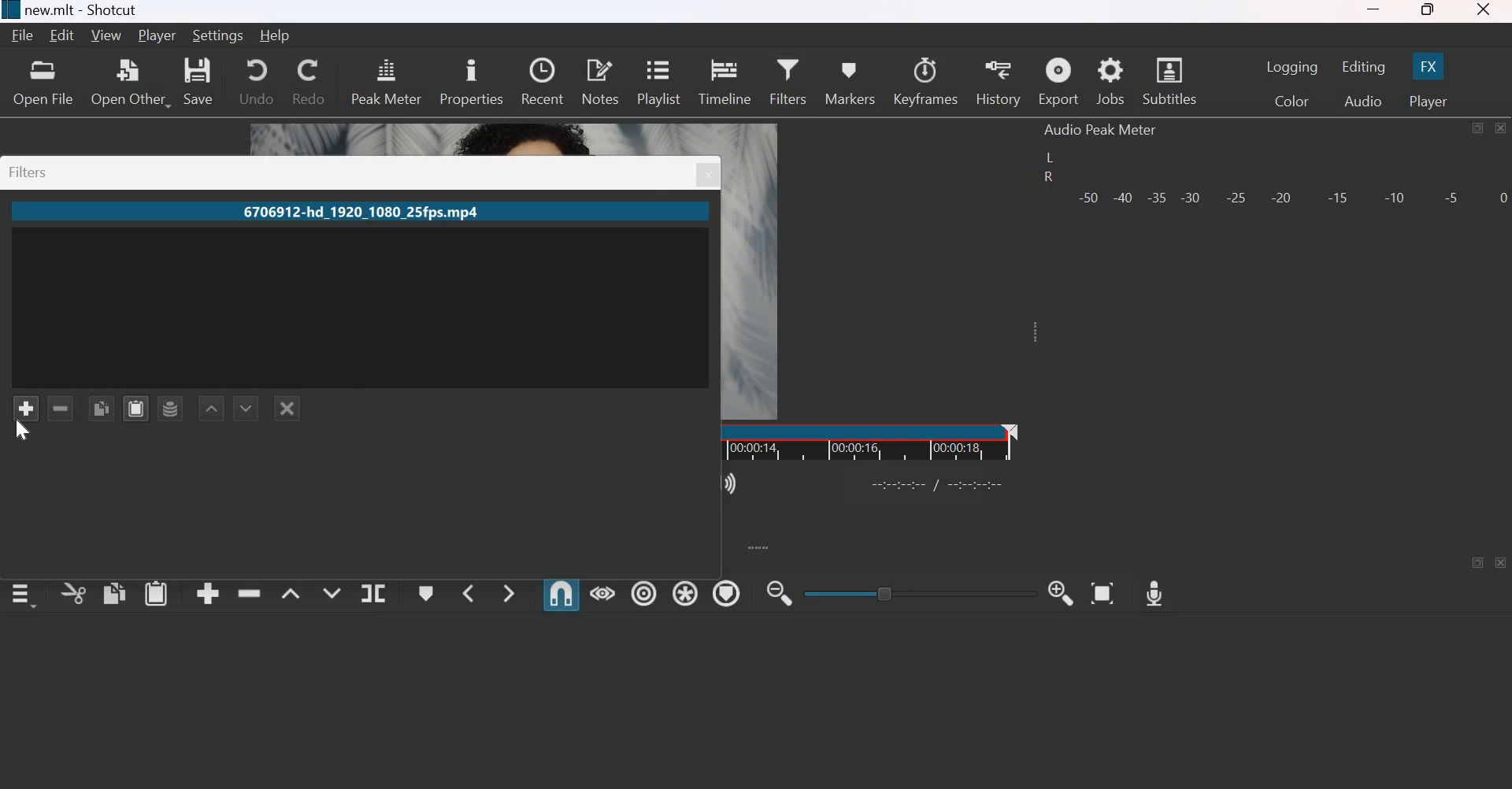  Describe the element at coordinates (1103, 589) in the screenshot. I see `Zoom Timeline to Fit` at that location.